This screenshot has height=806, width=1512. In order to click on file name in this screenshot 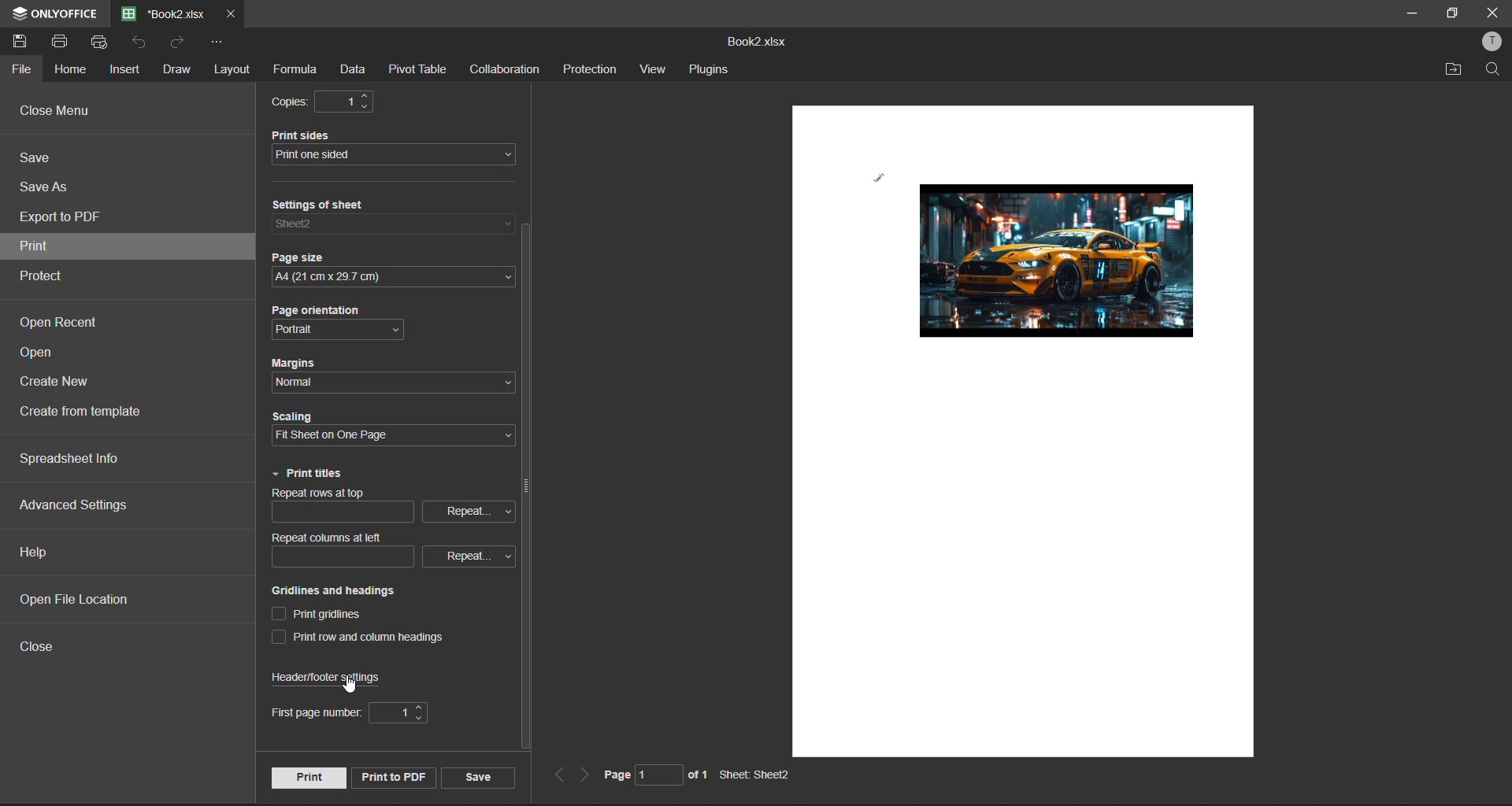, I will do `click(164, 14)`.